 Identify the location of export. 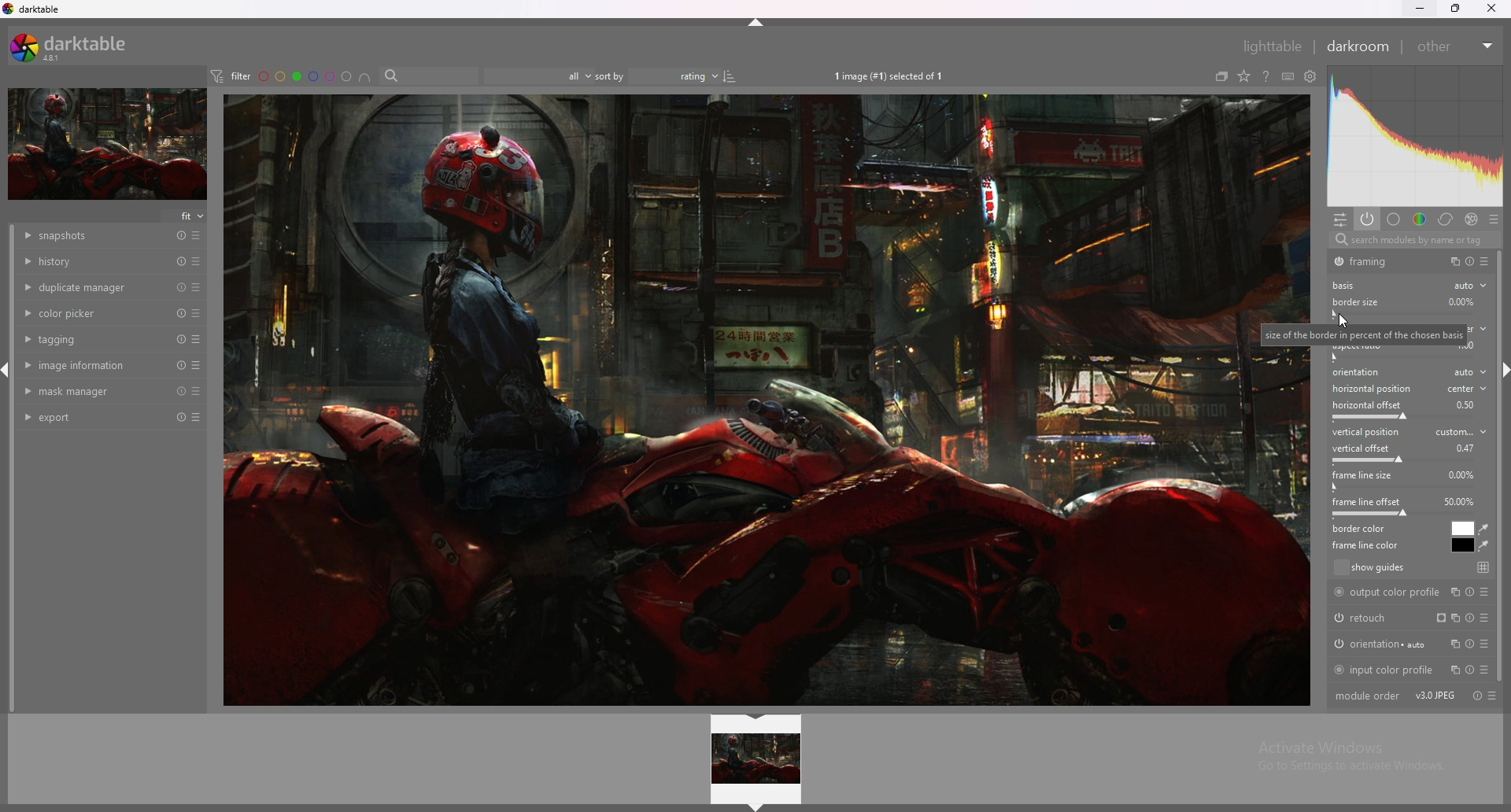
(93, 418).